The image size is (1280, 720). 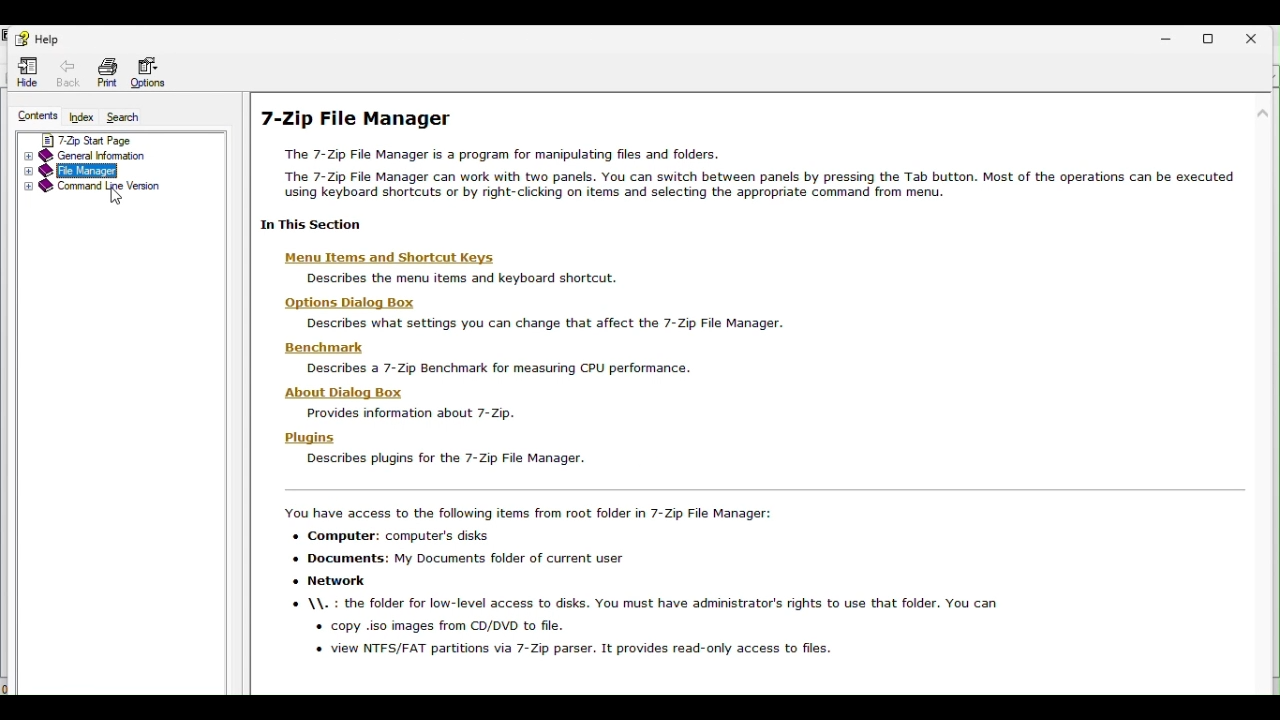 I want to click on Back, so click(x=72, y=72).